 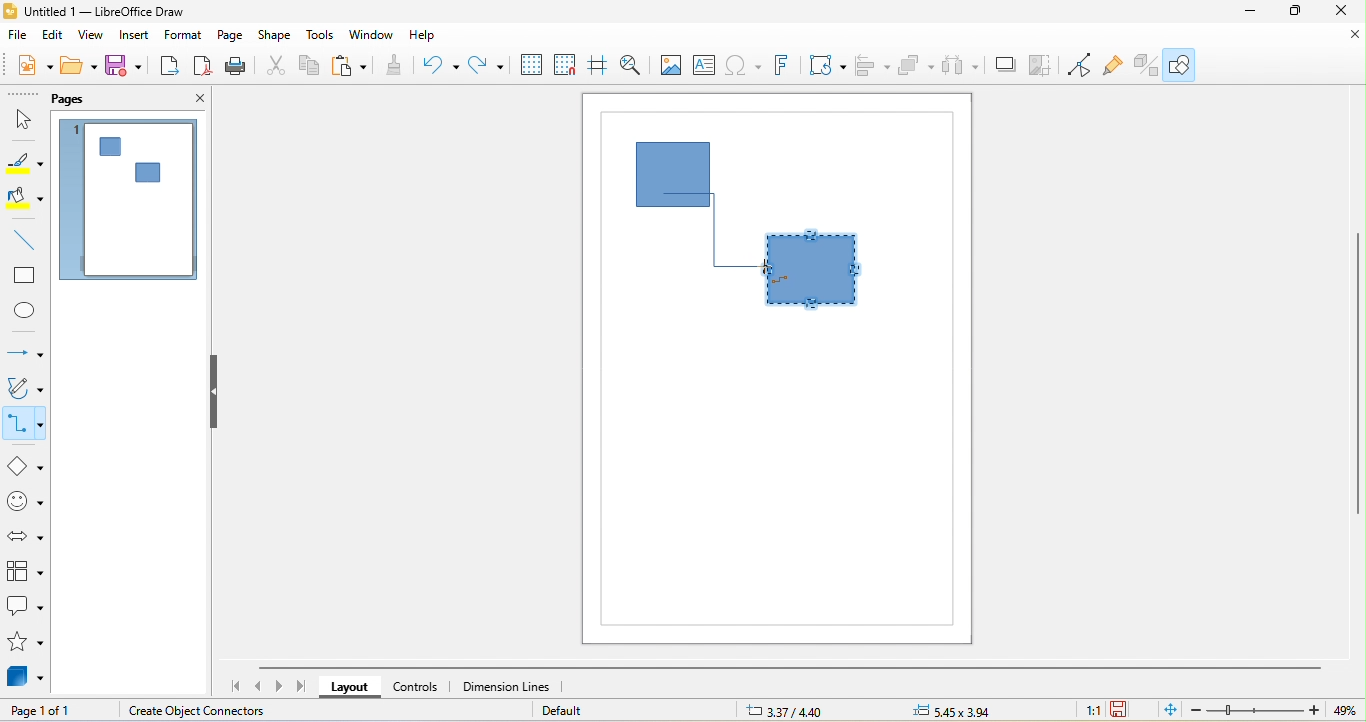 What do you see at coordinates (23, 273) in the screenshot?
I see `rectangle` at bounding box center [23, 273].